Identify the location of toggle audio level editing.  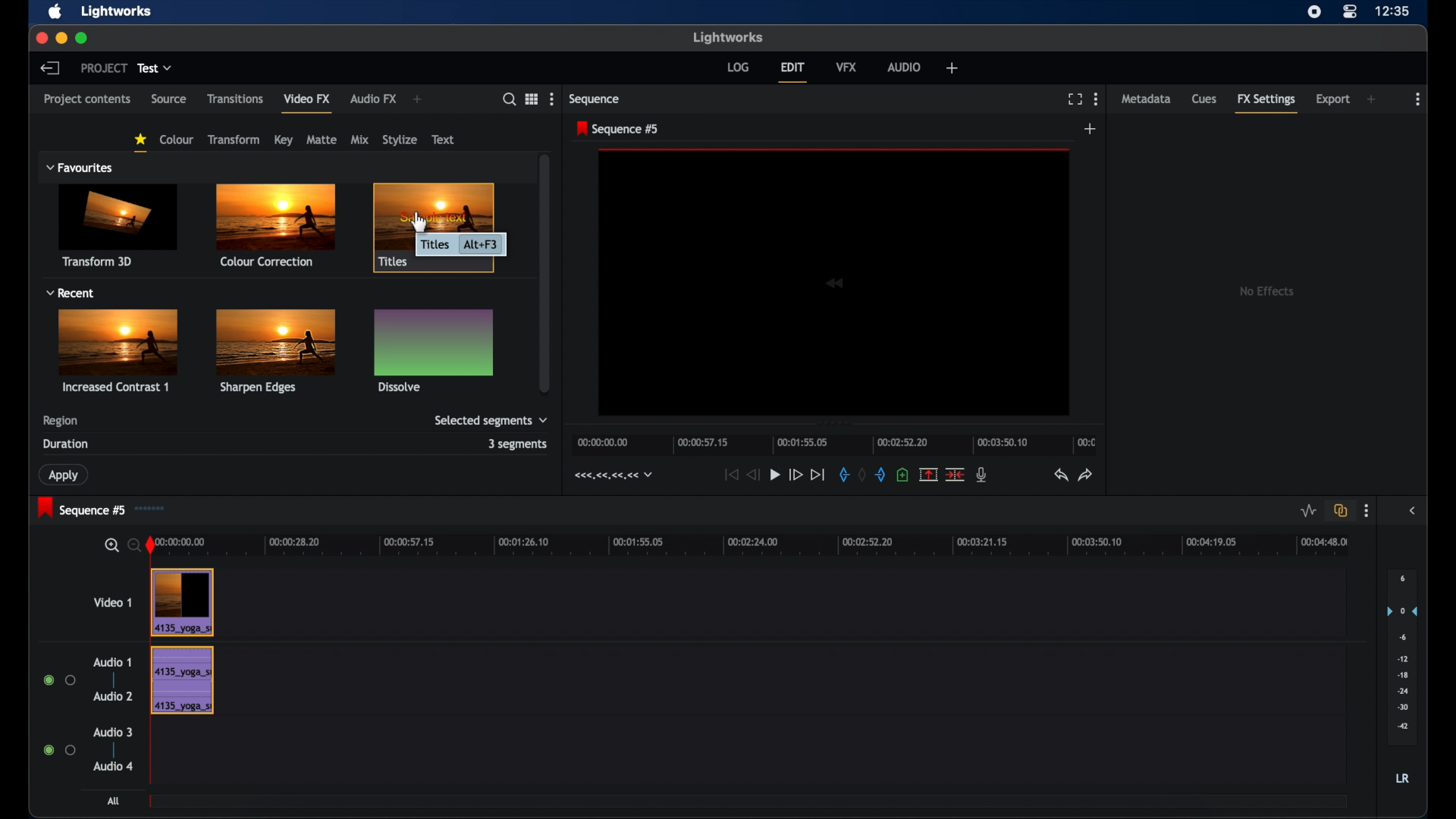
(1306, 511).